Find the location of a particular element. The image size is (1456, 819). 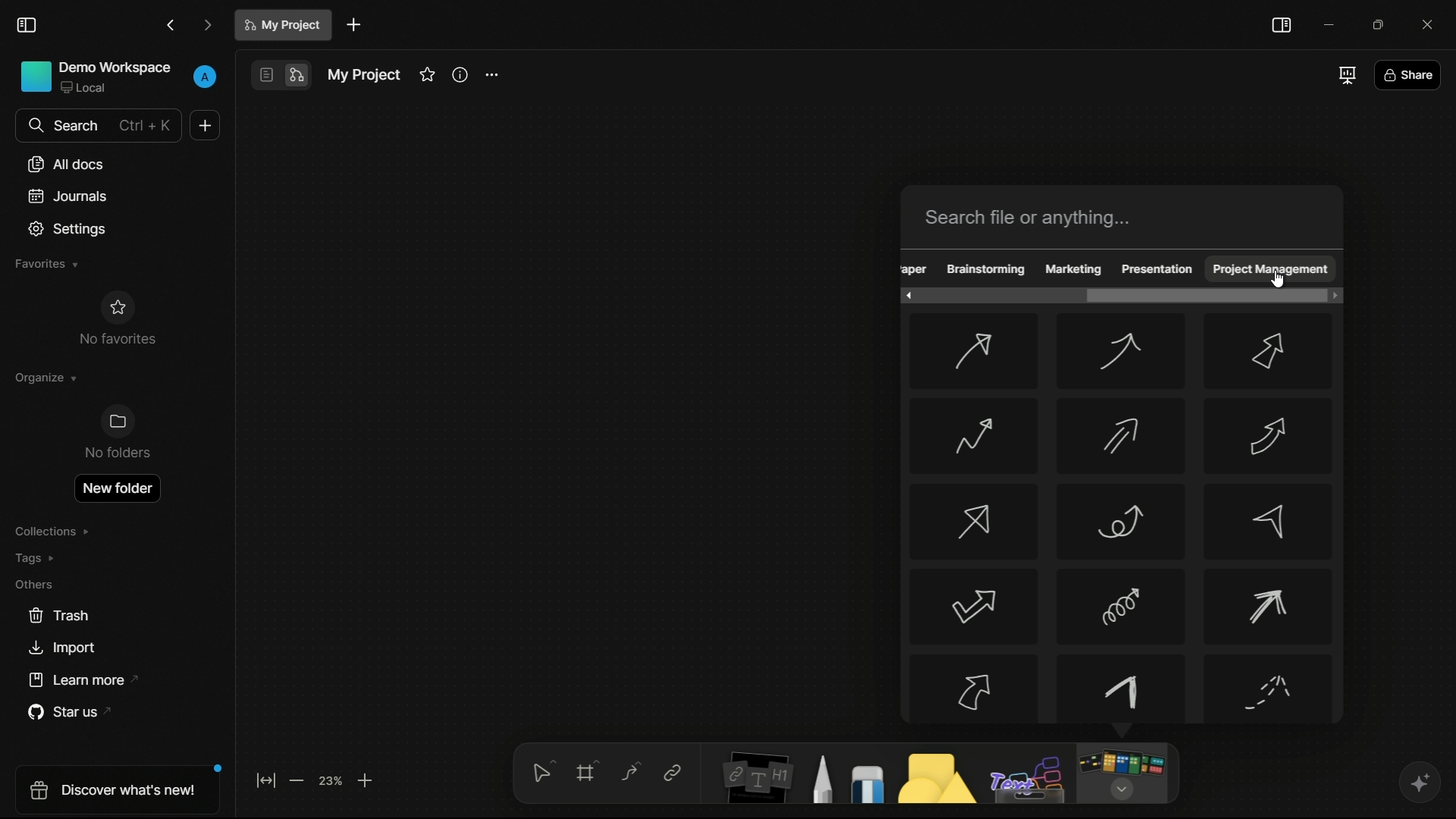

informations is located at coordinates (460, 74).